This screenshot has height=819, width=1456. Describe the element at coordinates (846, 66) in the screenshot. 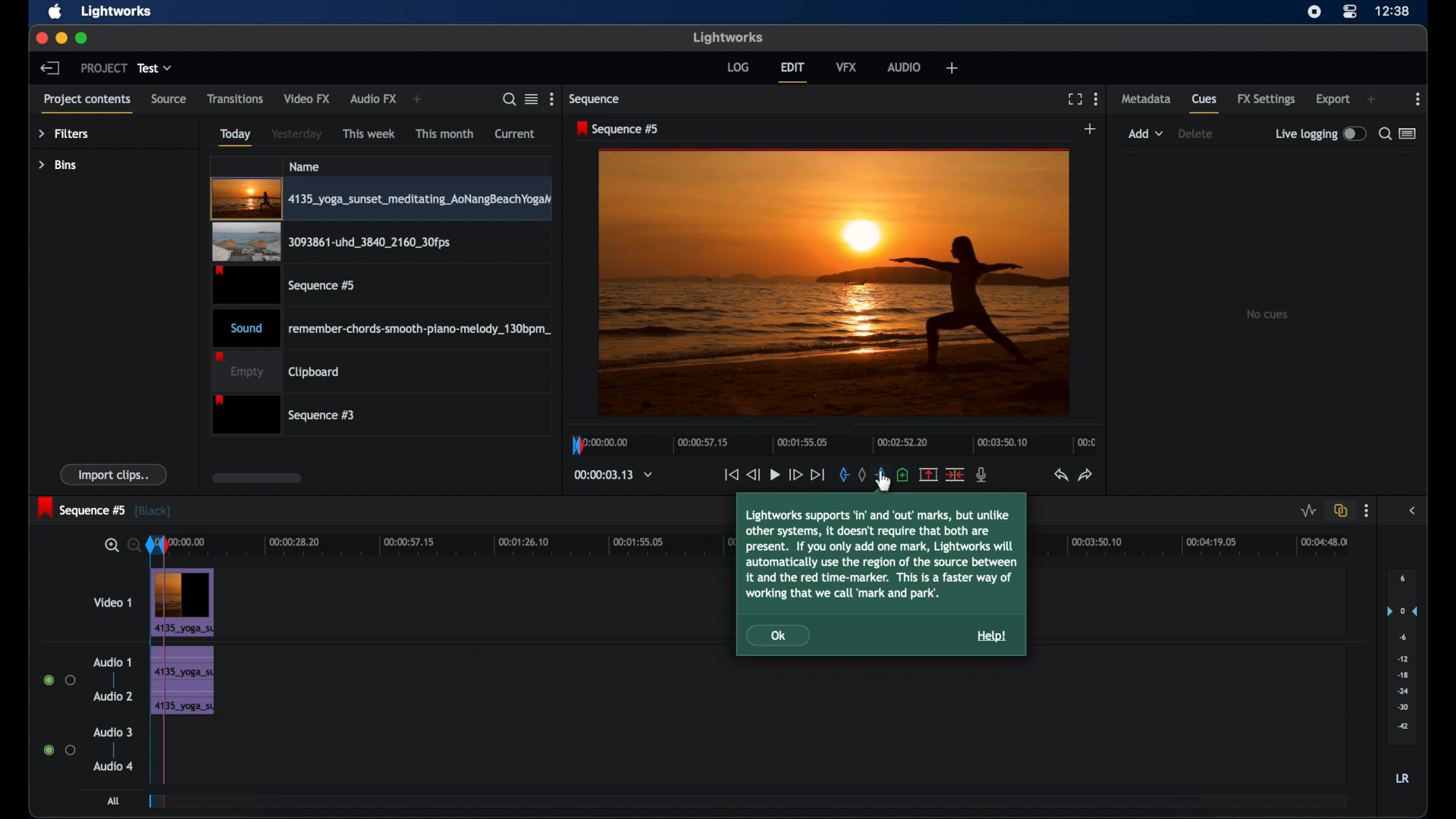

I see `vfx` at that location.